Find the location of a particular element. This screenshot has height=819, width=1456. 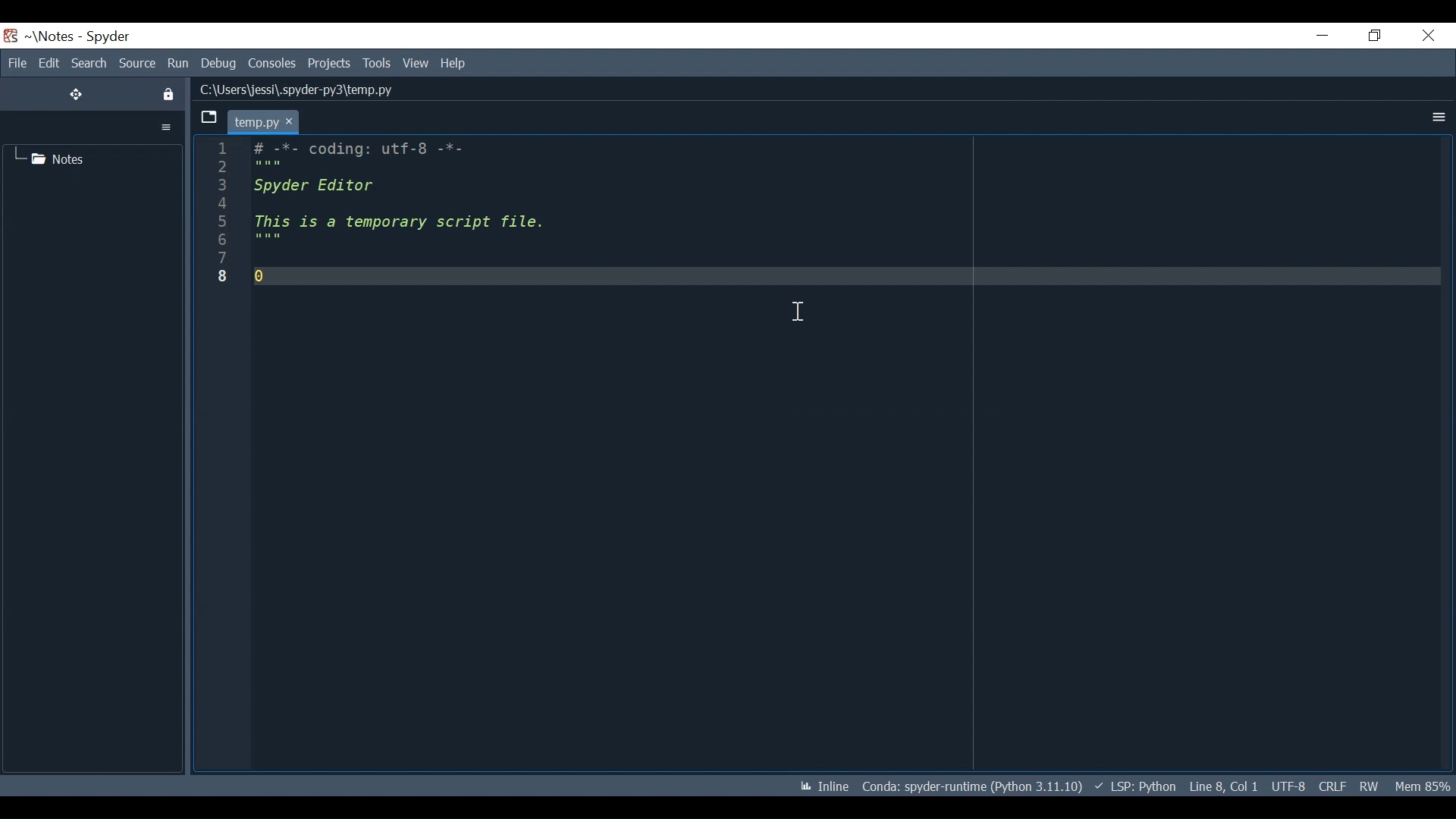

Consoles is located at coordinates (272, 64).